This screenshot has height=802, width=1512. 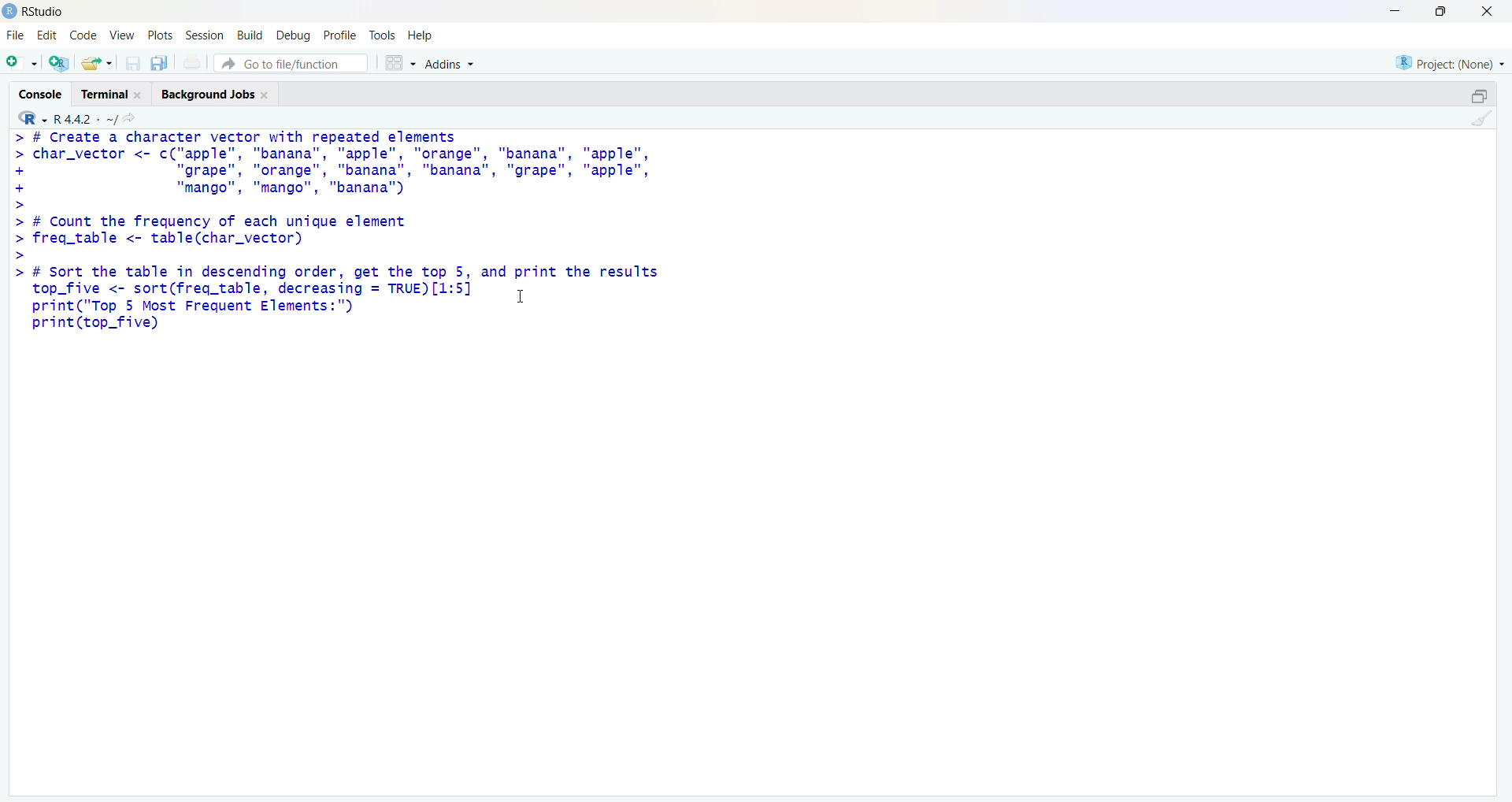 What do you see at coordinates (59, 63) in the screenshot?
I see `Create a project` at bounding box center [59, 63].